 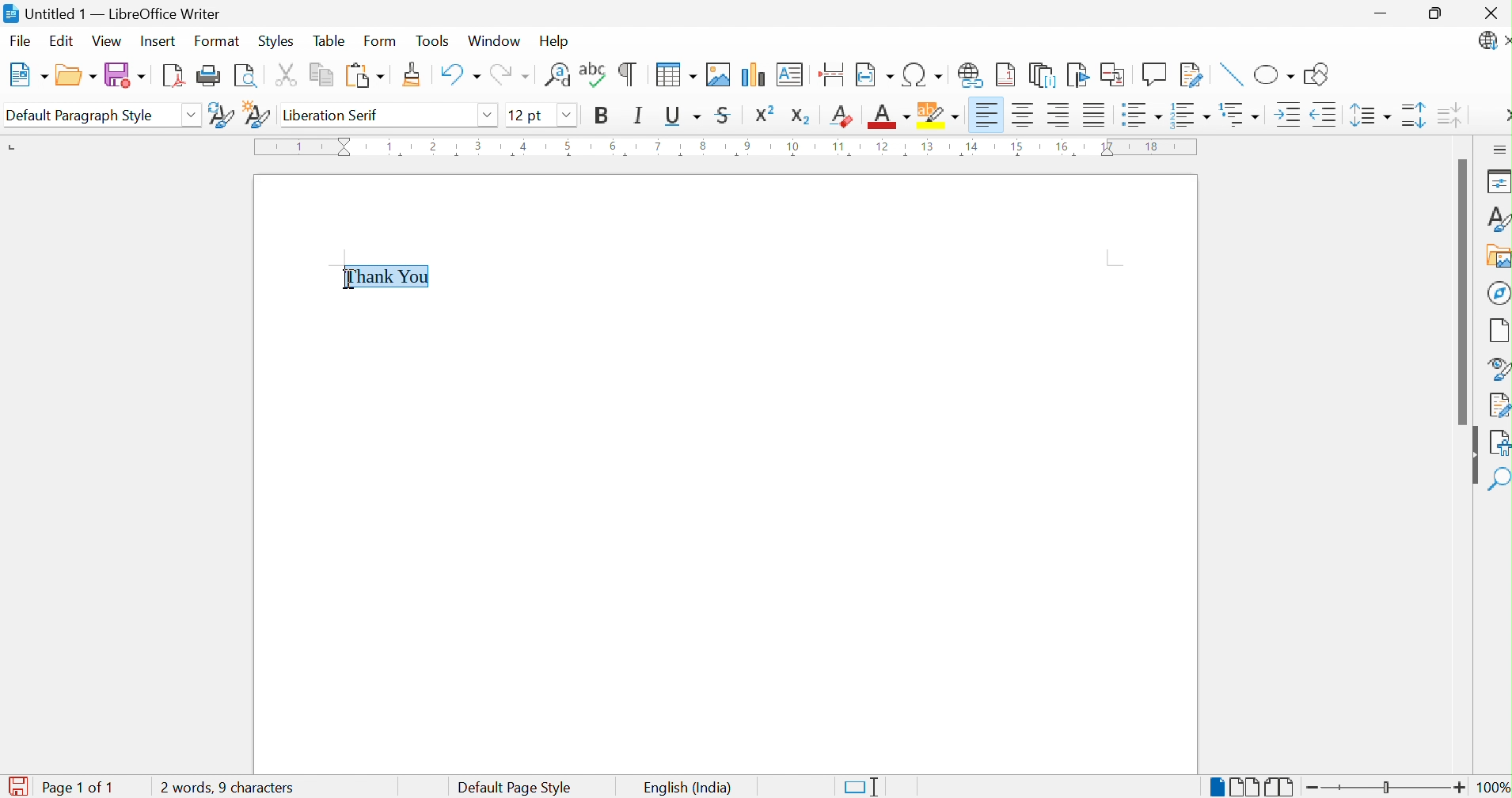 What do you see at coordinates (245, 76) in the screenshot?
I see `Toggle Print Preview` at bounding box center [245, 76].